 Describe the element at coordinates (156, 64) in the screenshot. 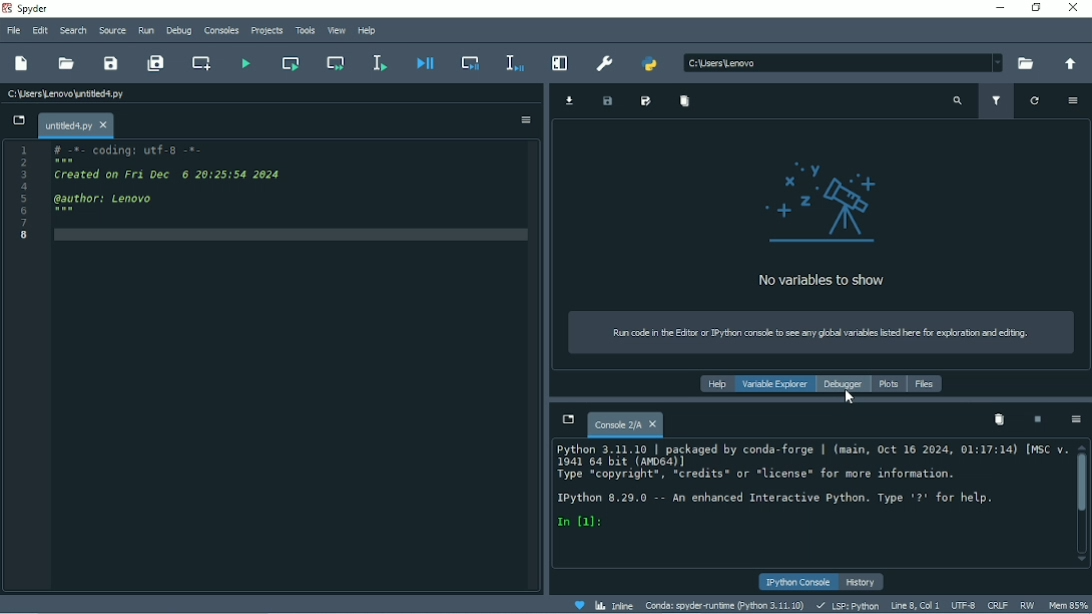

I see `Save all files` at that location.